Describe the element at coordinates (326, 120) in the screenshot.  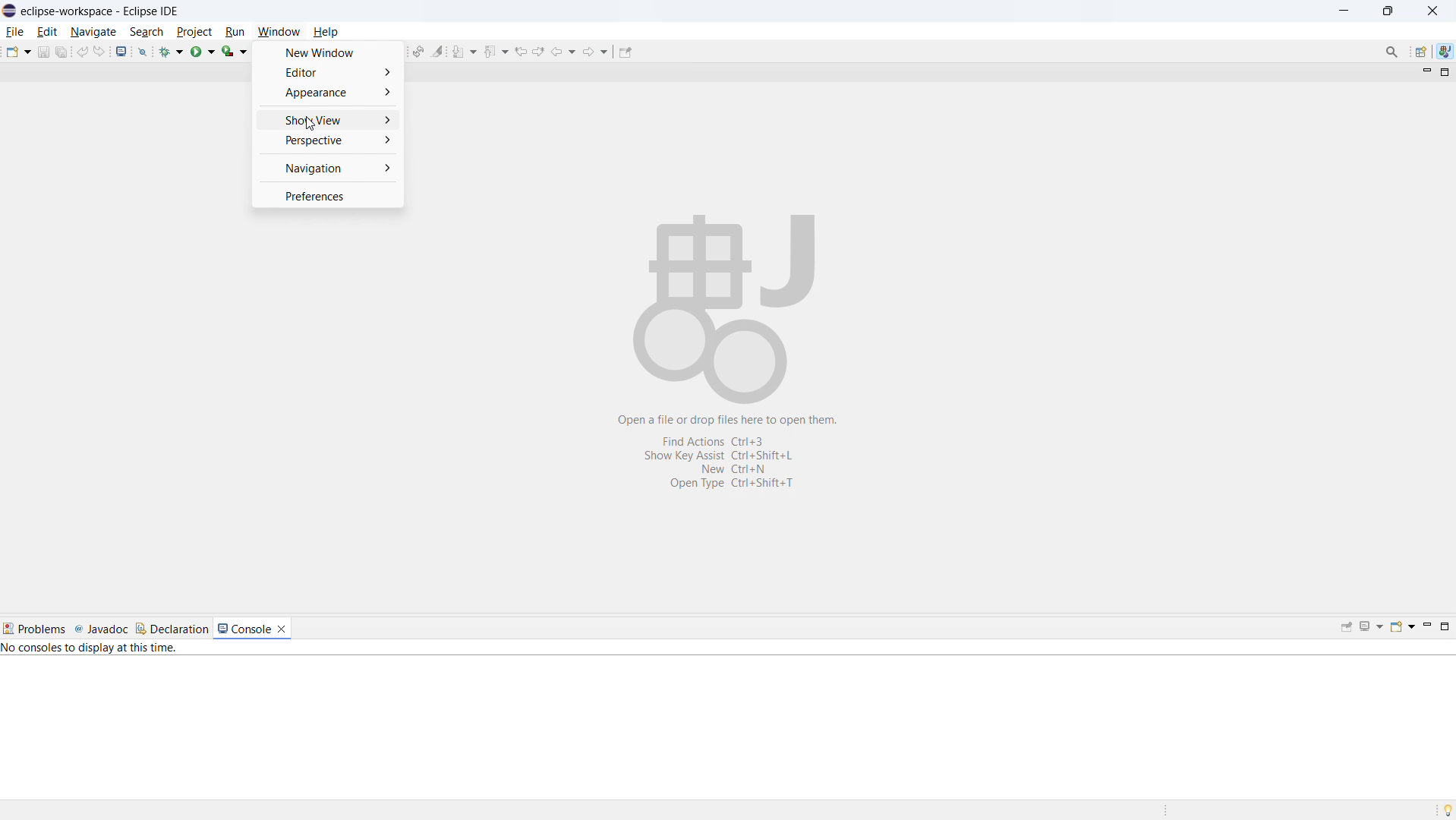
I see `show view` at that location.